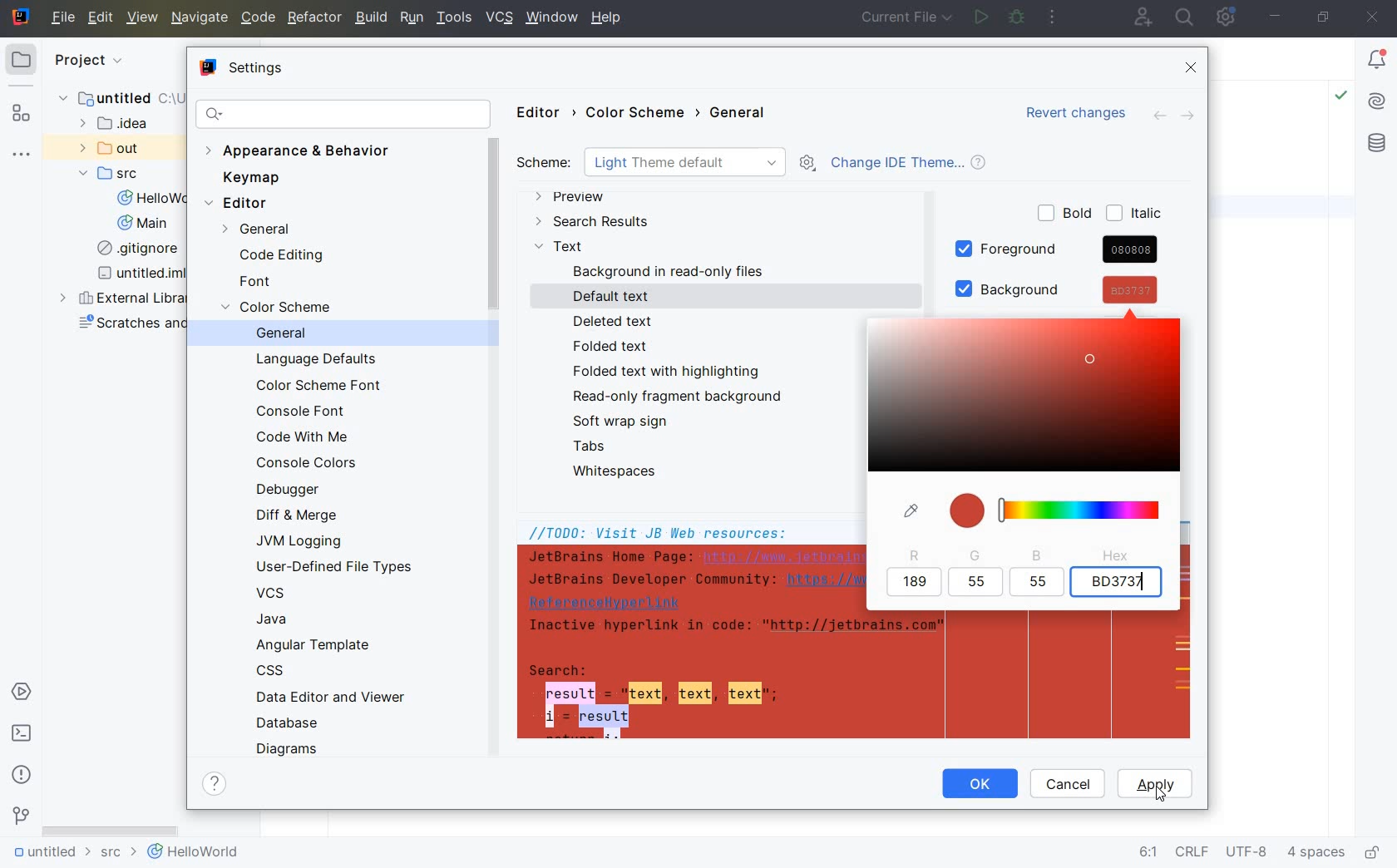 This screenshot has height=868, width=1397. Describe the element at coordinates (111, 174) in the screenshot. I see `SRC` at that location.